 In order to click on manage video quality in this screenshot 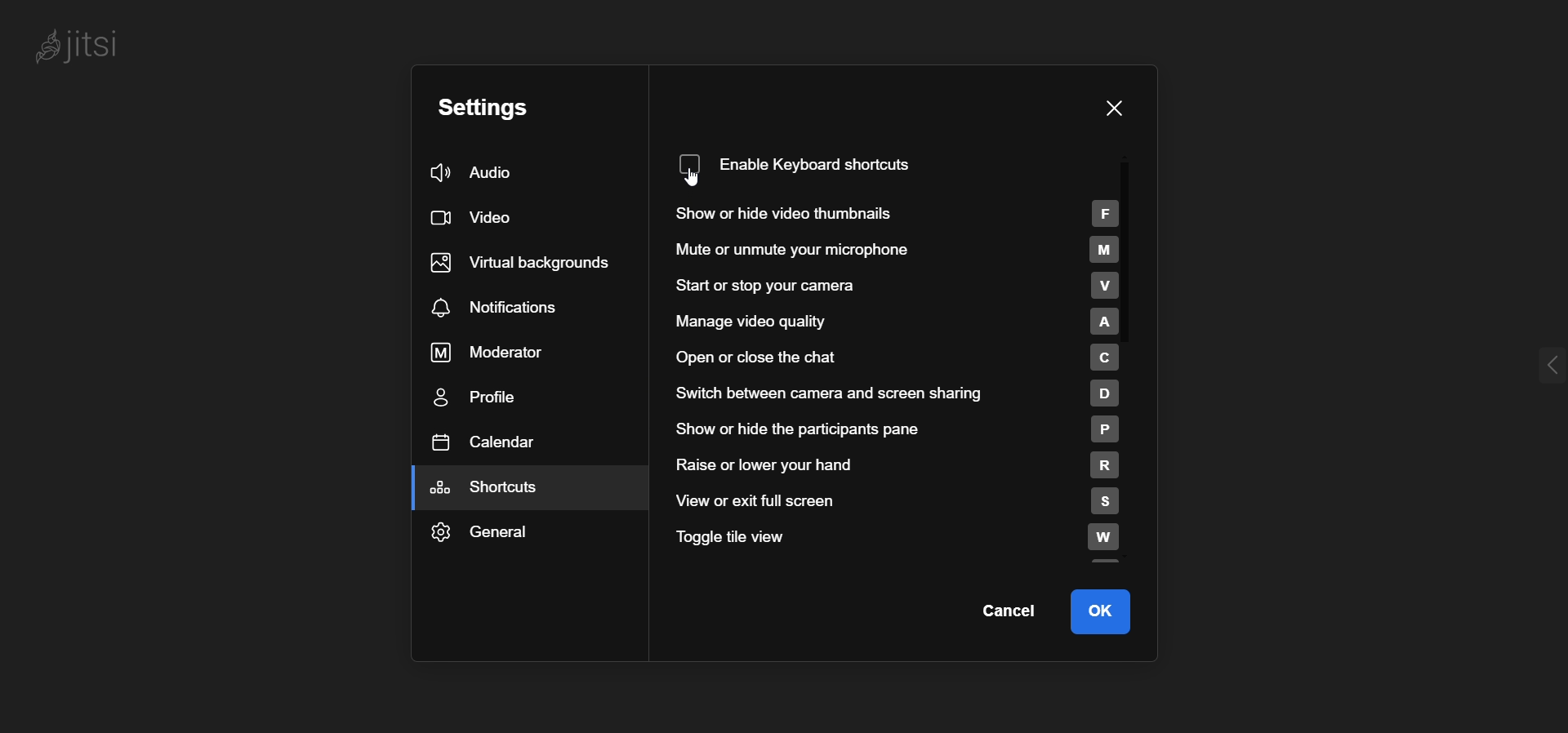, I will do `click(901, 319)`.